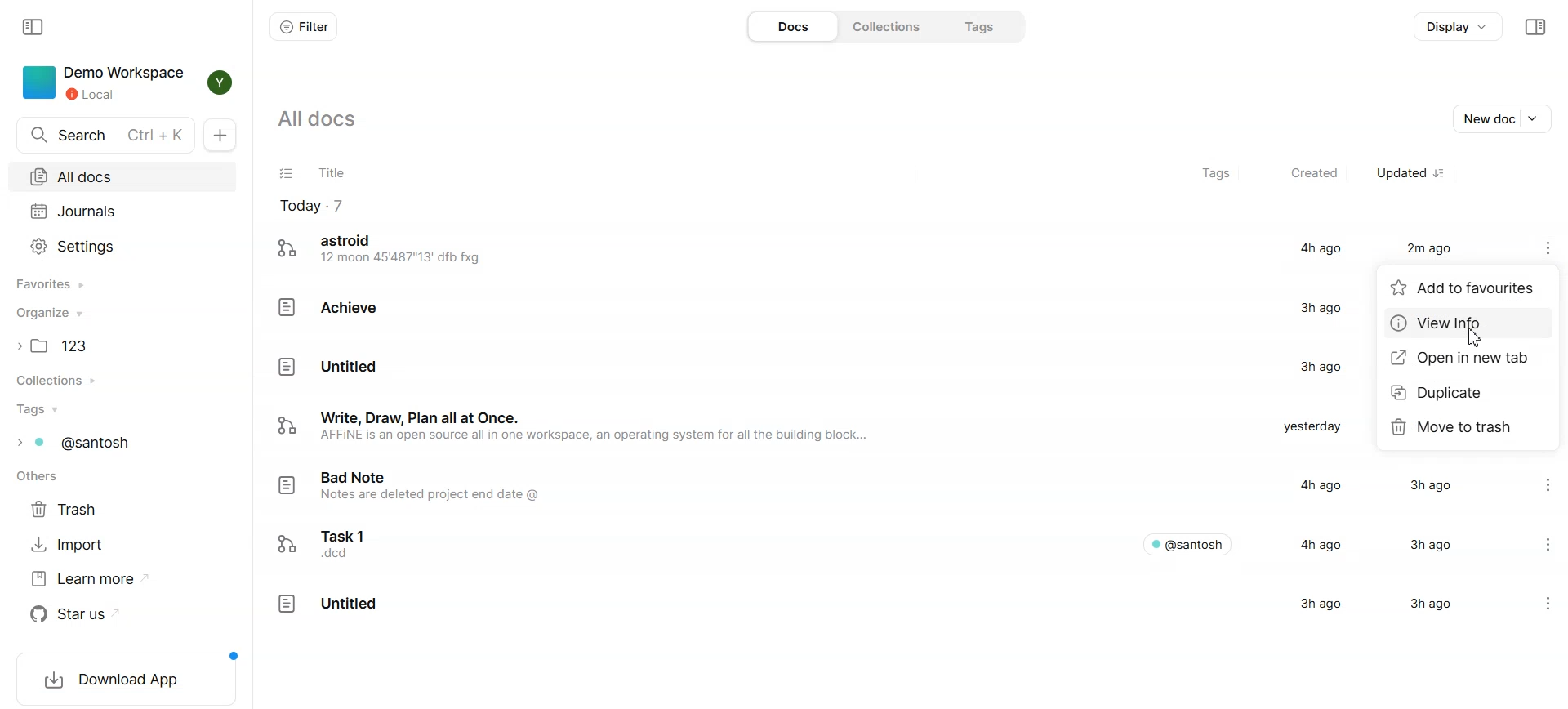 The width and height of the screenshot is (1568, 709). I want to click on Today file count, so click(312, 205).